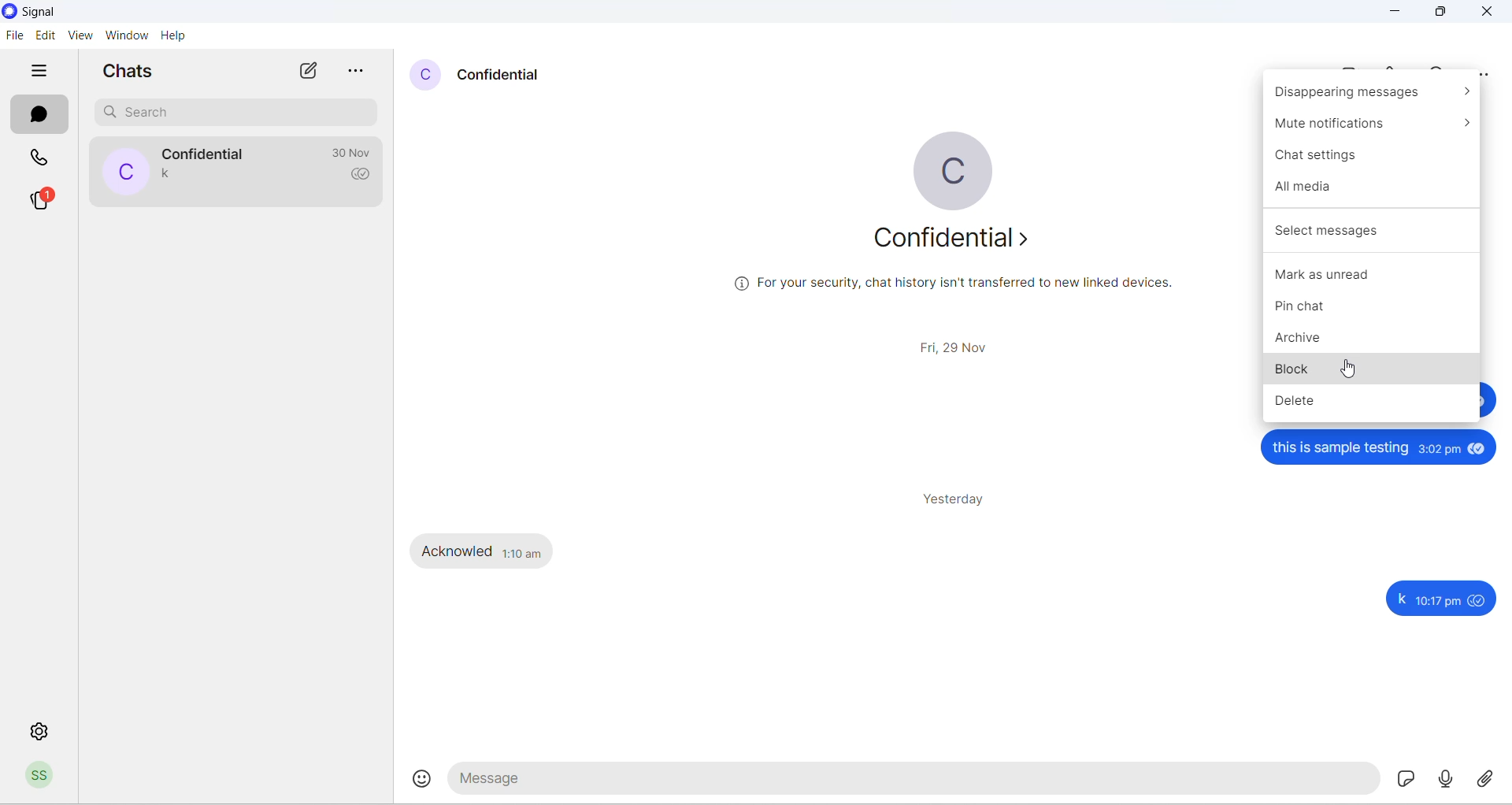 The image size is (1512, 805). I want to click on share attachment, so click(1491, 781).